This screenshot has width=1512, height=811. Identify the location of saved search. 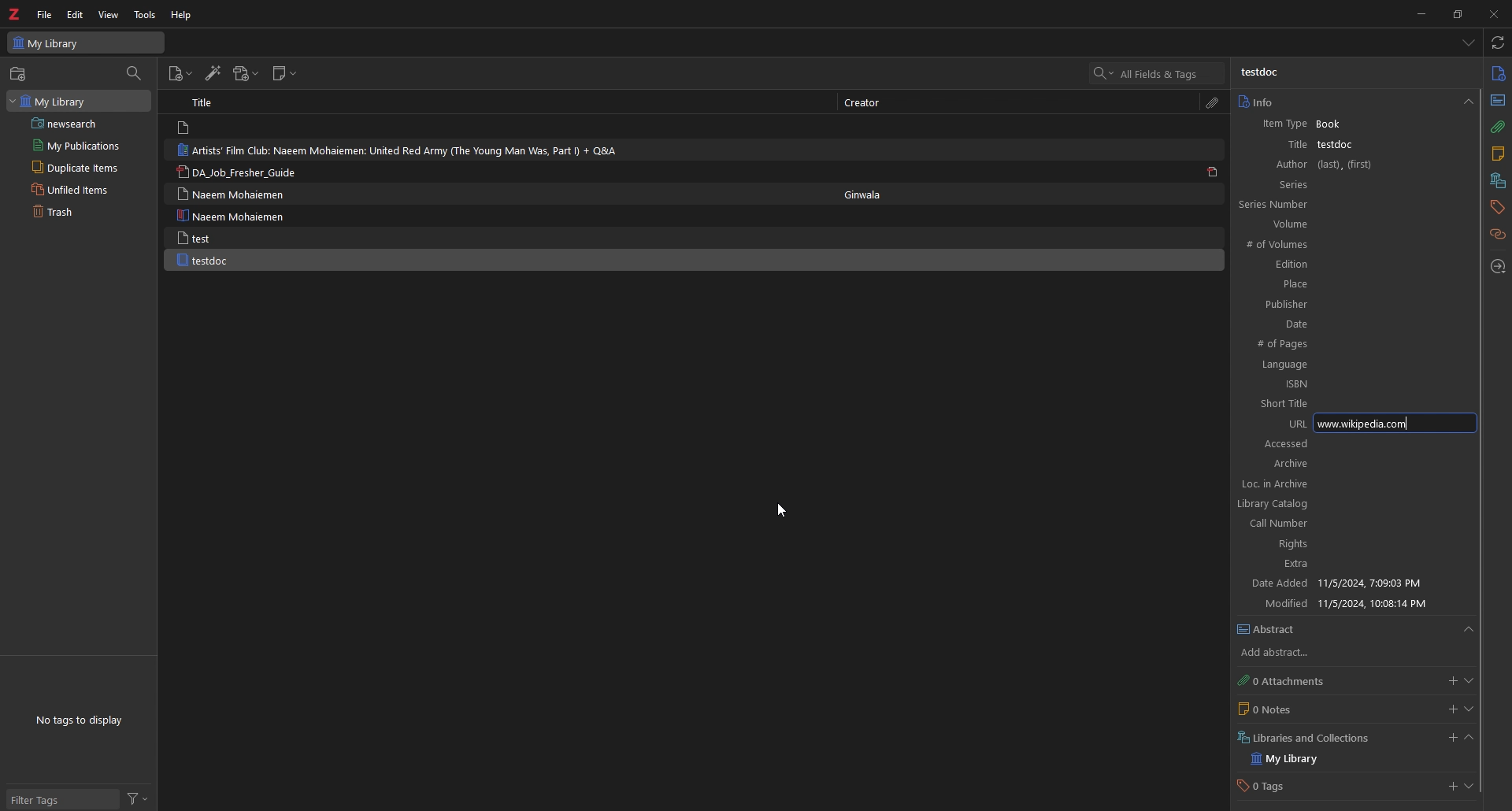
(82, 123).